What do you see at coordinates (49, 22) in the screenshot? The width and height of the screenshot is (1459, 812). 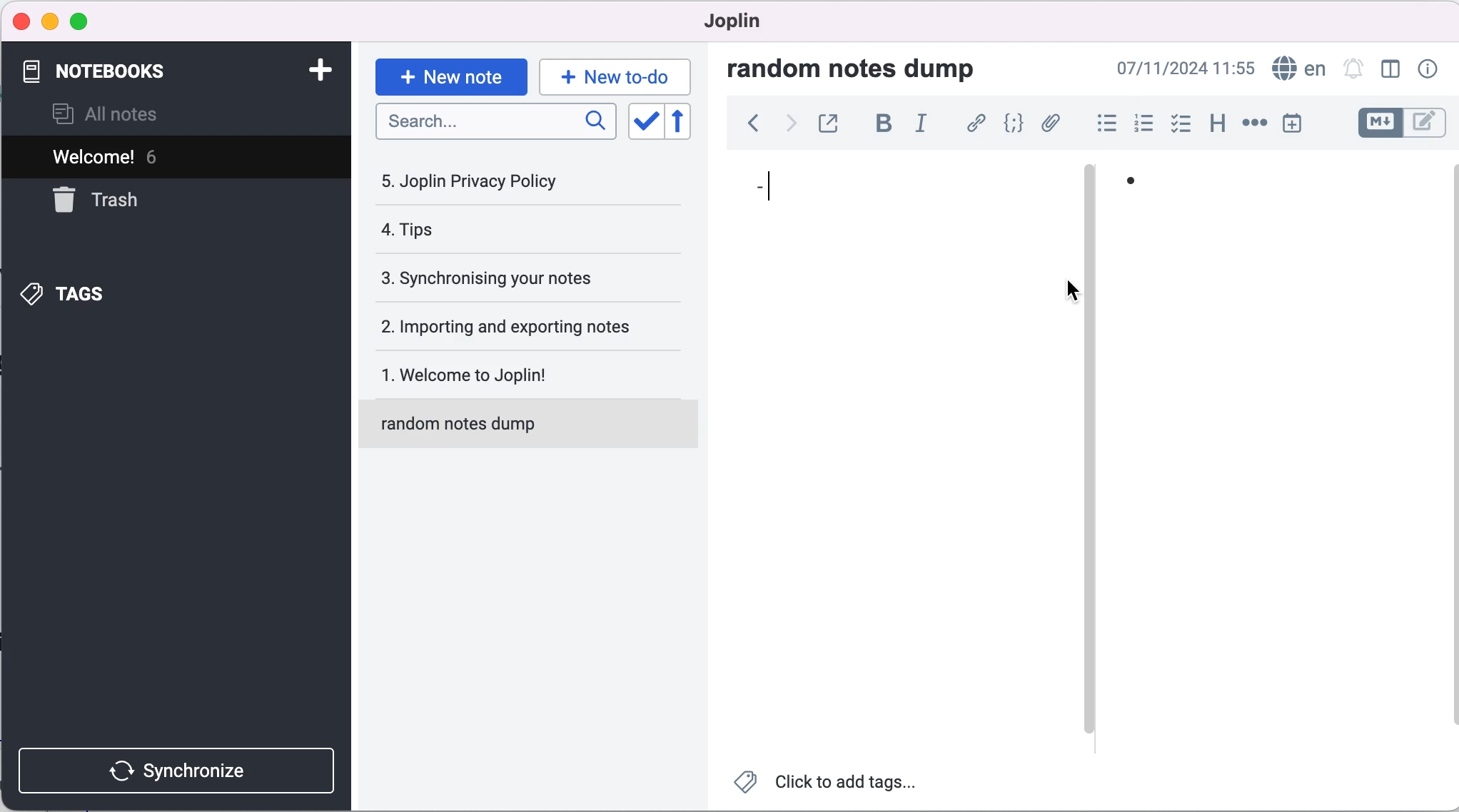 I see `minimize` at bounding box center [49, 22].